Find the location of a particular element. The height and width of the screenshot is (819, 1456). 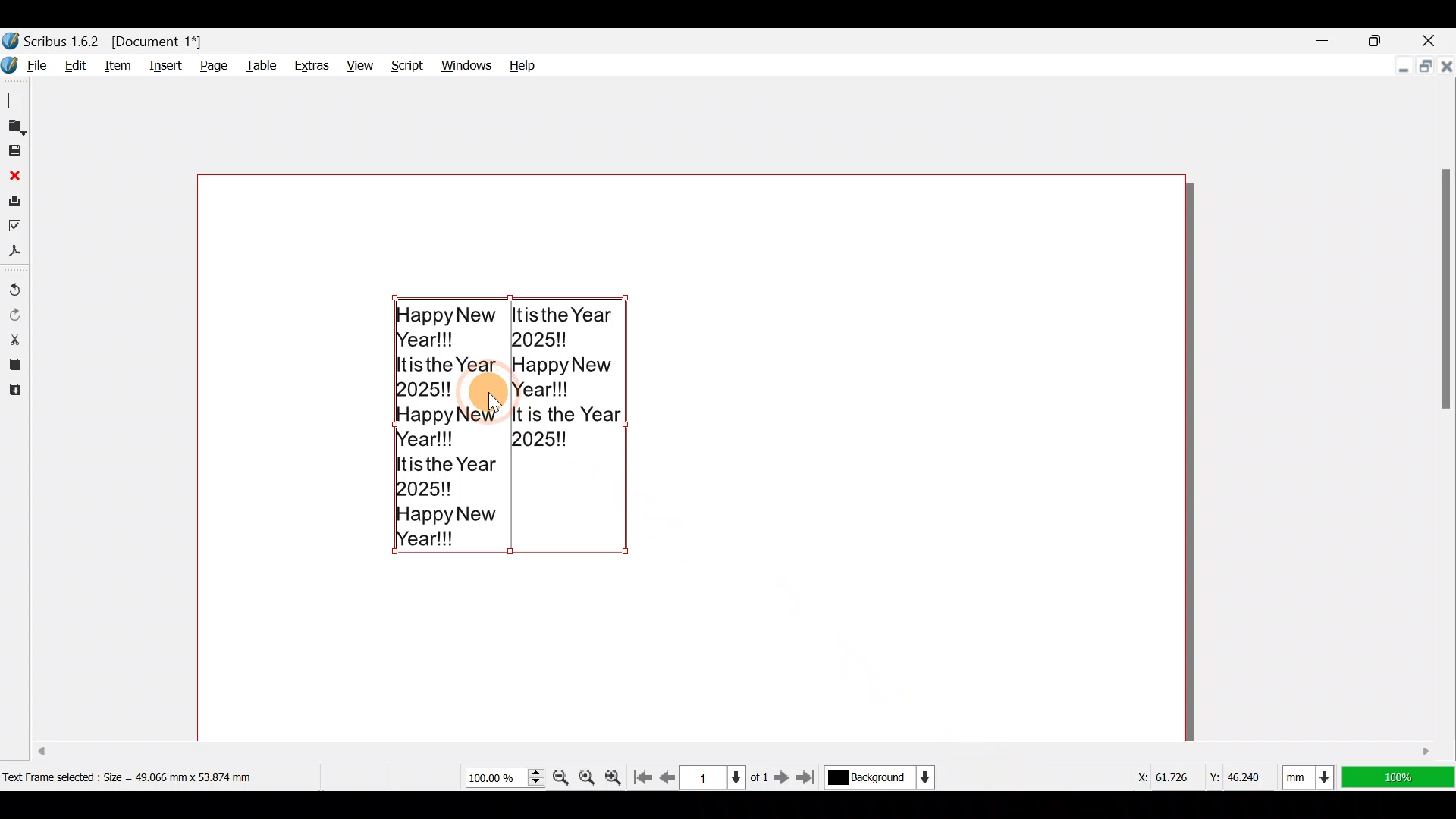

Save as PDF is located at coordinates (17, 254).